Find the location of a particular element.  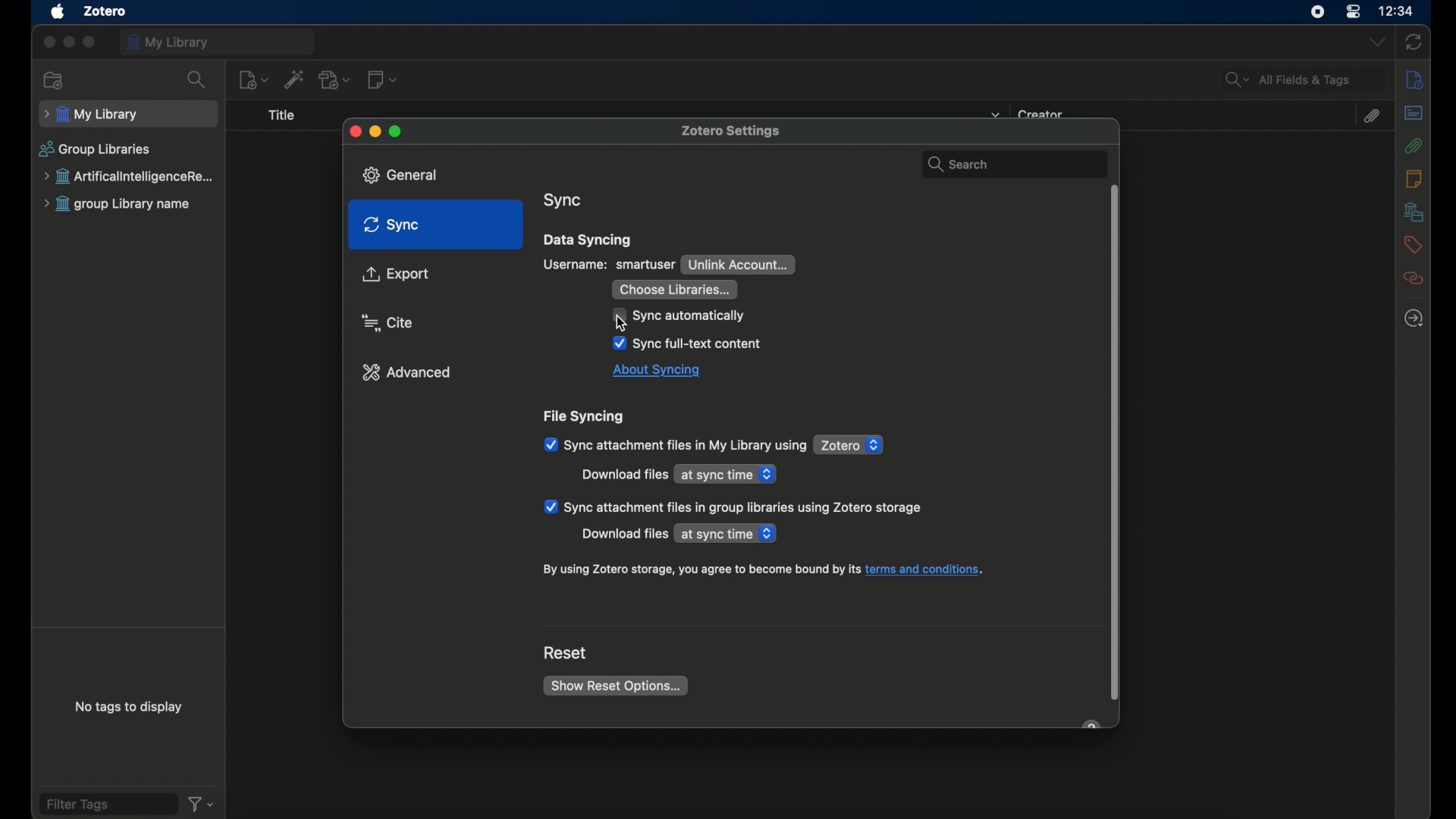

new note is located at coordinates (383, 80).